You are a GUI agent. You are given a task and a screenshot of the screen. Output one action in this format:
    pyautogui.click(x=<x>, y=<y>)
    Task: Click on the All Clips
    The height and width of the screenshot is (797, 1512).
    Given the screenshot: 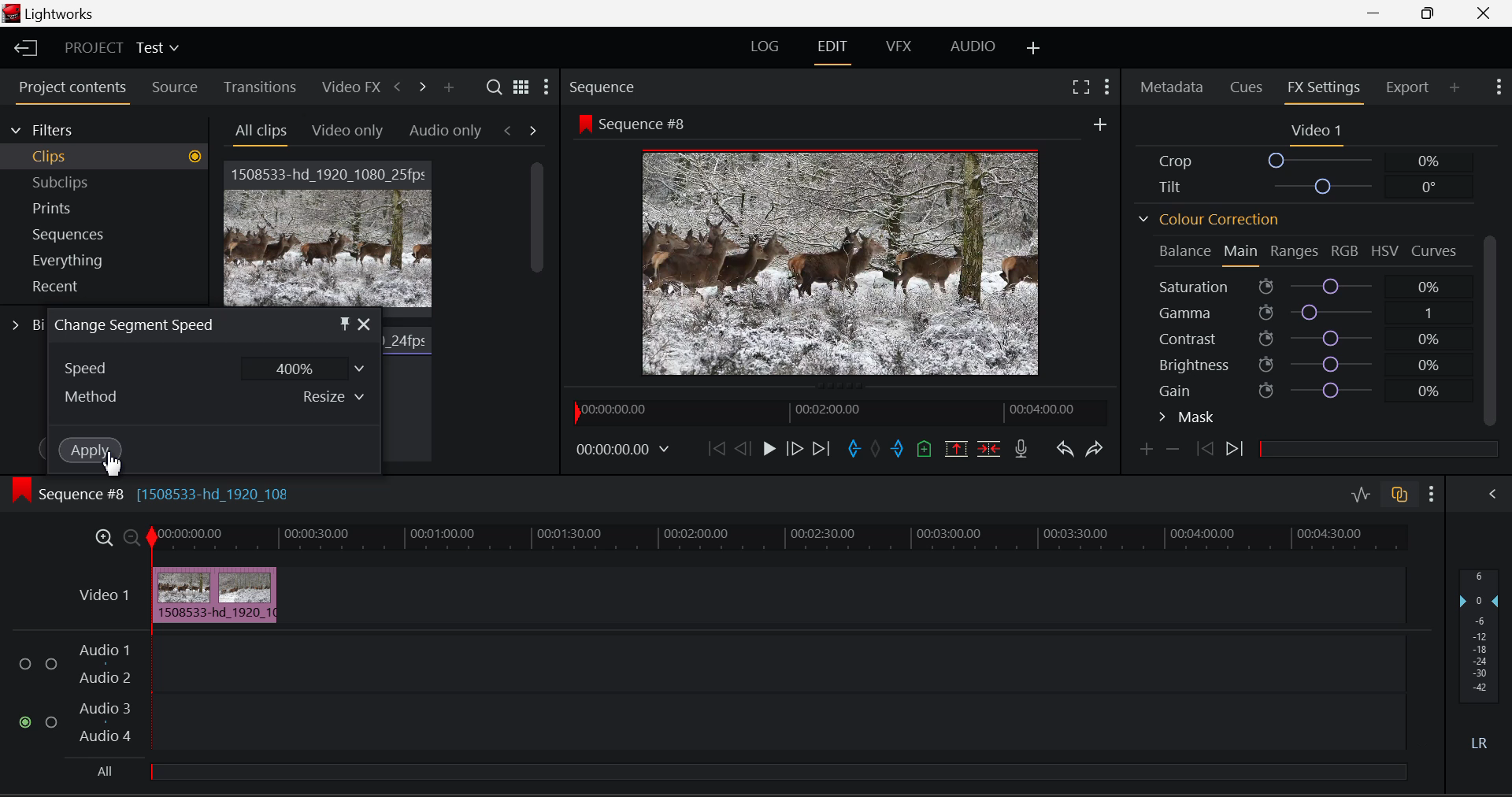 What is the action you would take?
    pyautogui.click(x=260, y=130)
    